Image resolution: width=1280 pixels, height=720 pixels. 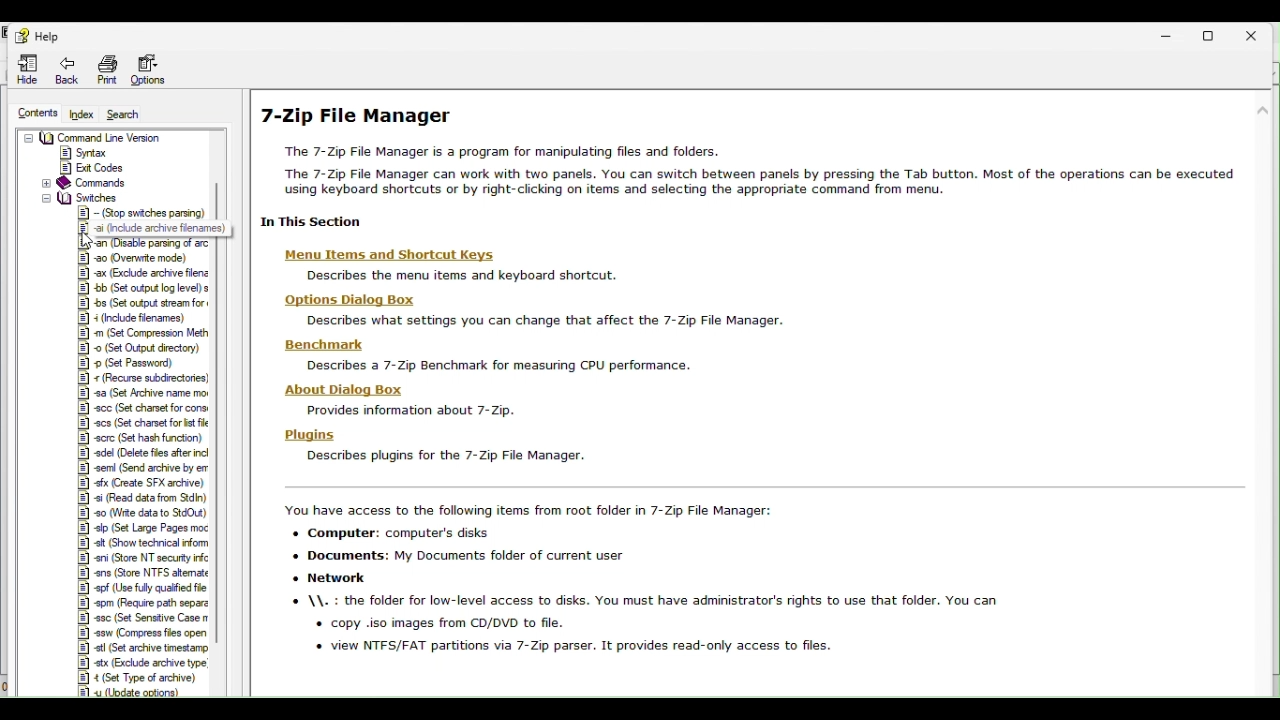 I want to click on Describes what settings you can change that affect the 7-Zip File Manager., so click(x=543, y=321).